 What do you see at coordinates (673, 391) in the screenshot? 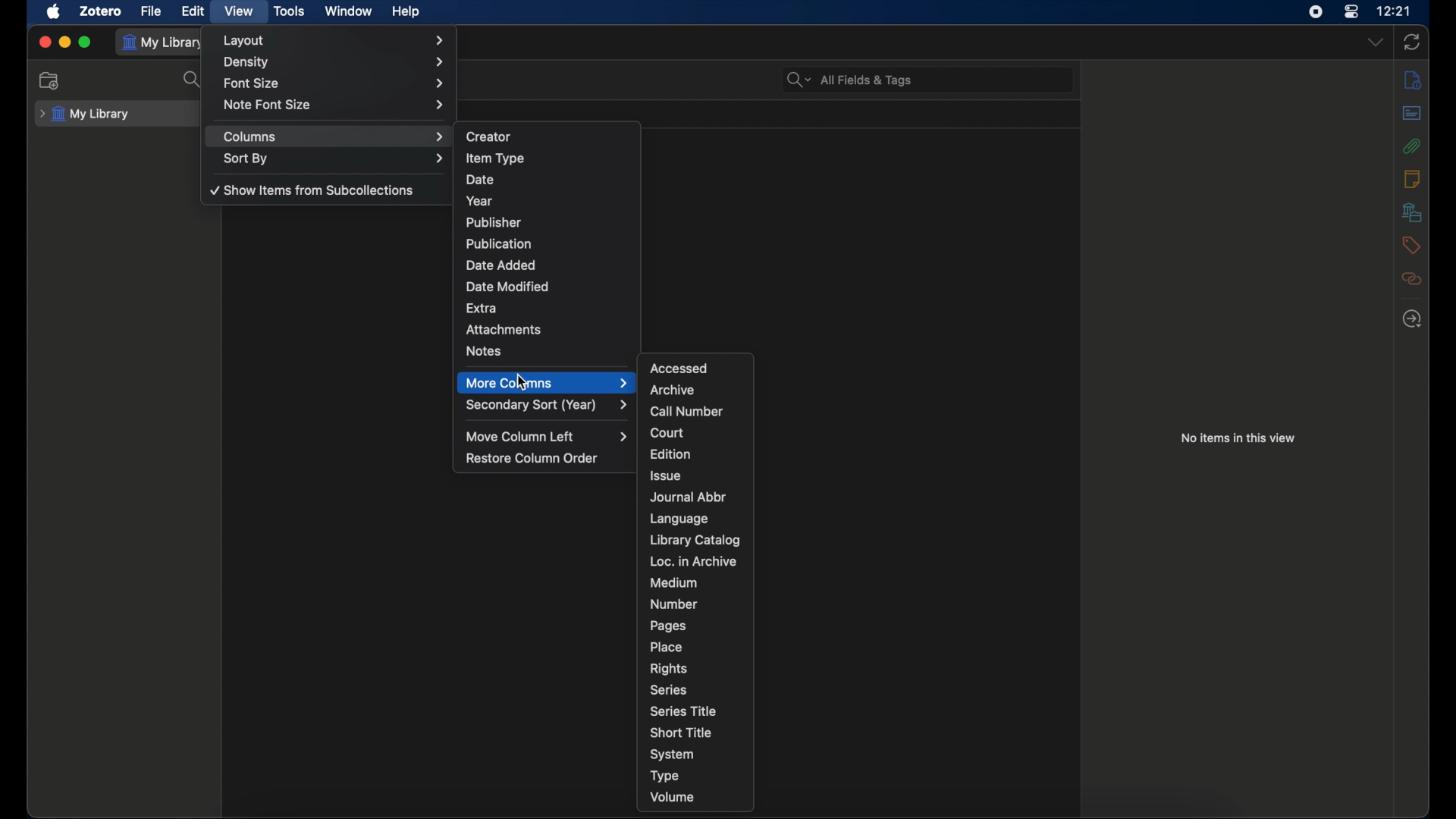
I see `archive` at bounding box center [673, 391].